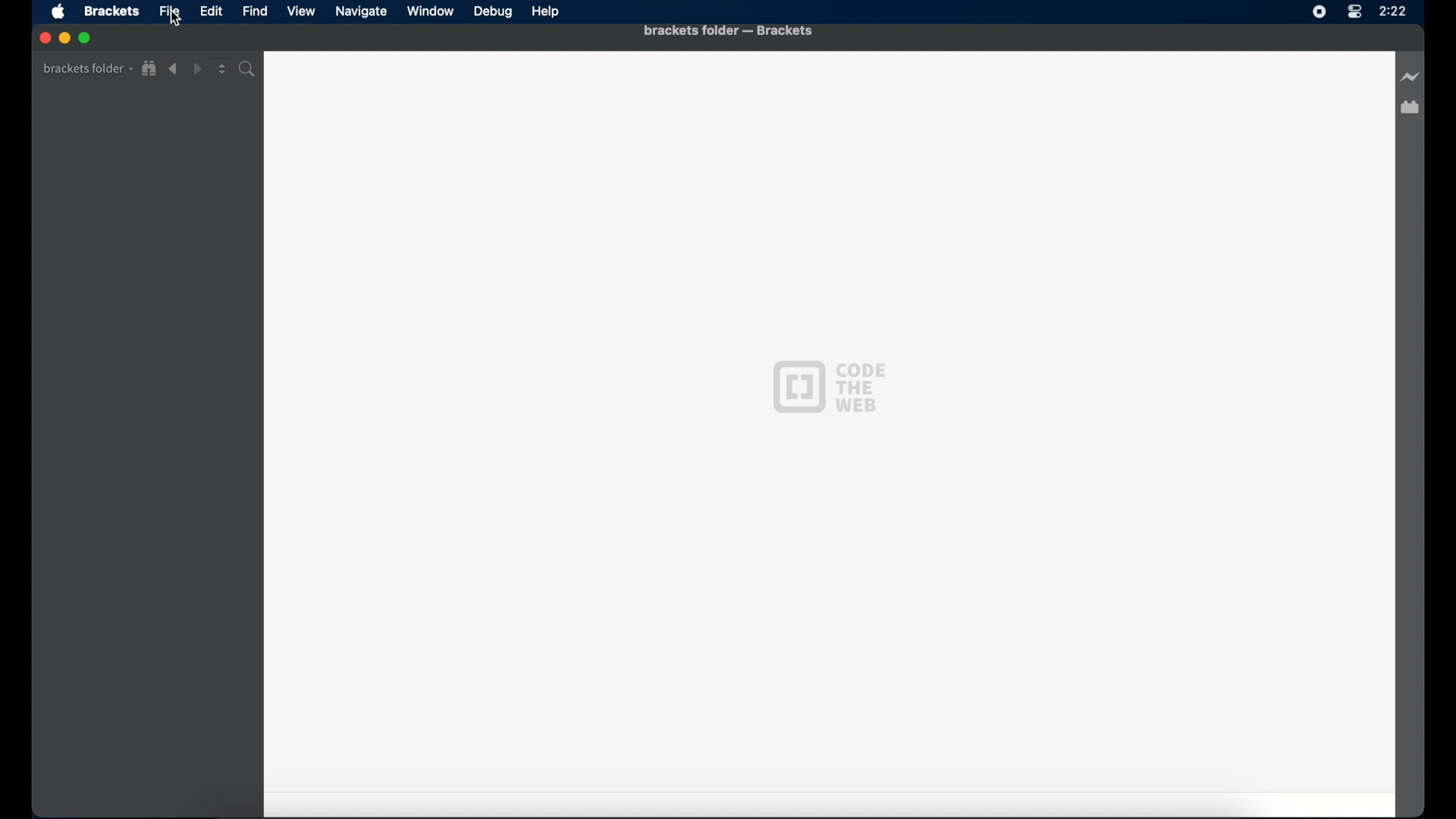 The image size is (1456, 819). Describe the element at coordinates (87, 68) in the screenshot. I see `brackets folder` at that location.